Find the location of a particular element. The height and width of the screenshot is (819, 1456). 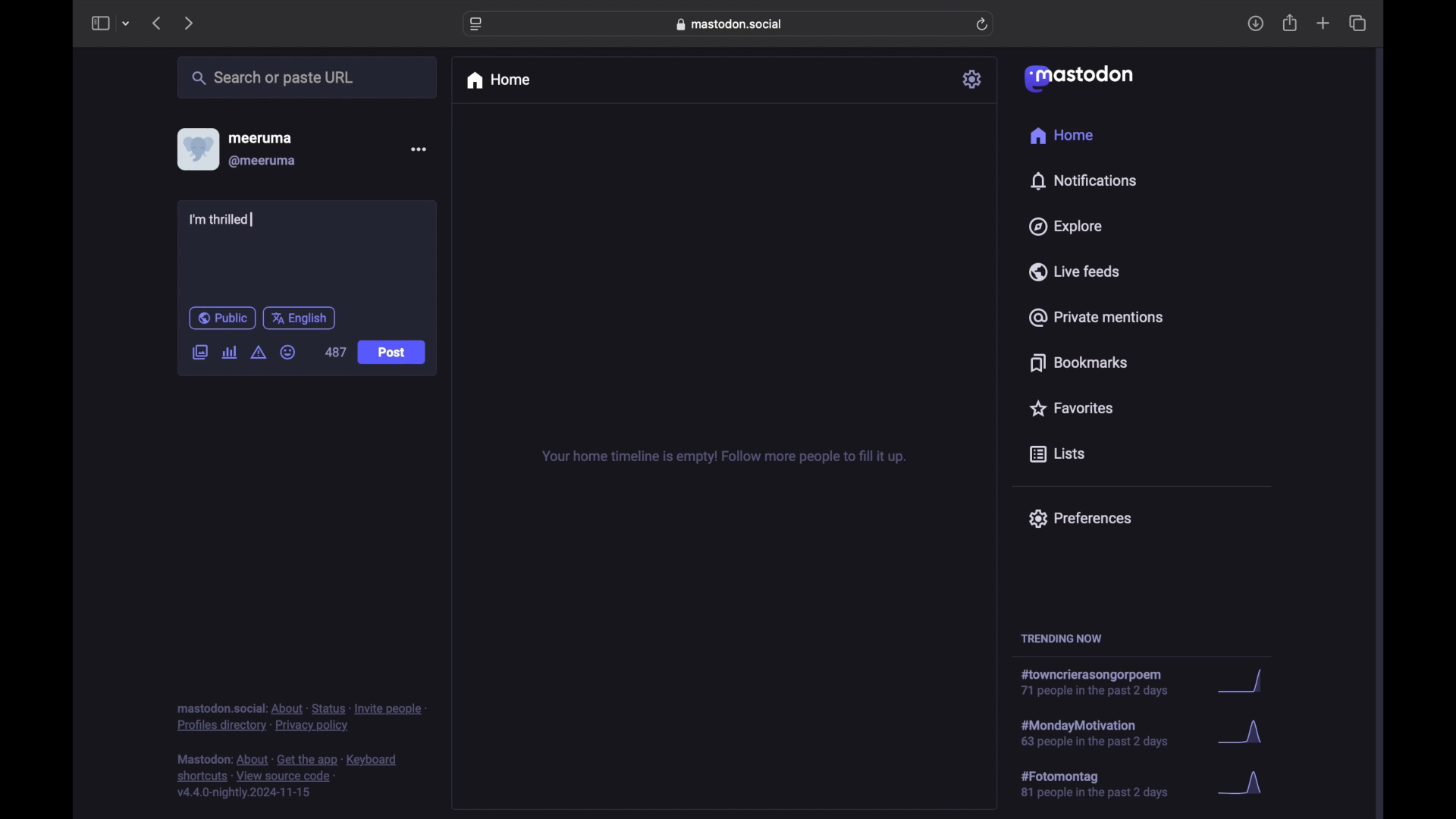

add content warning is located at coordinates (260, 353).